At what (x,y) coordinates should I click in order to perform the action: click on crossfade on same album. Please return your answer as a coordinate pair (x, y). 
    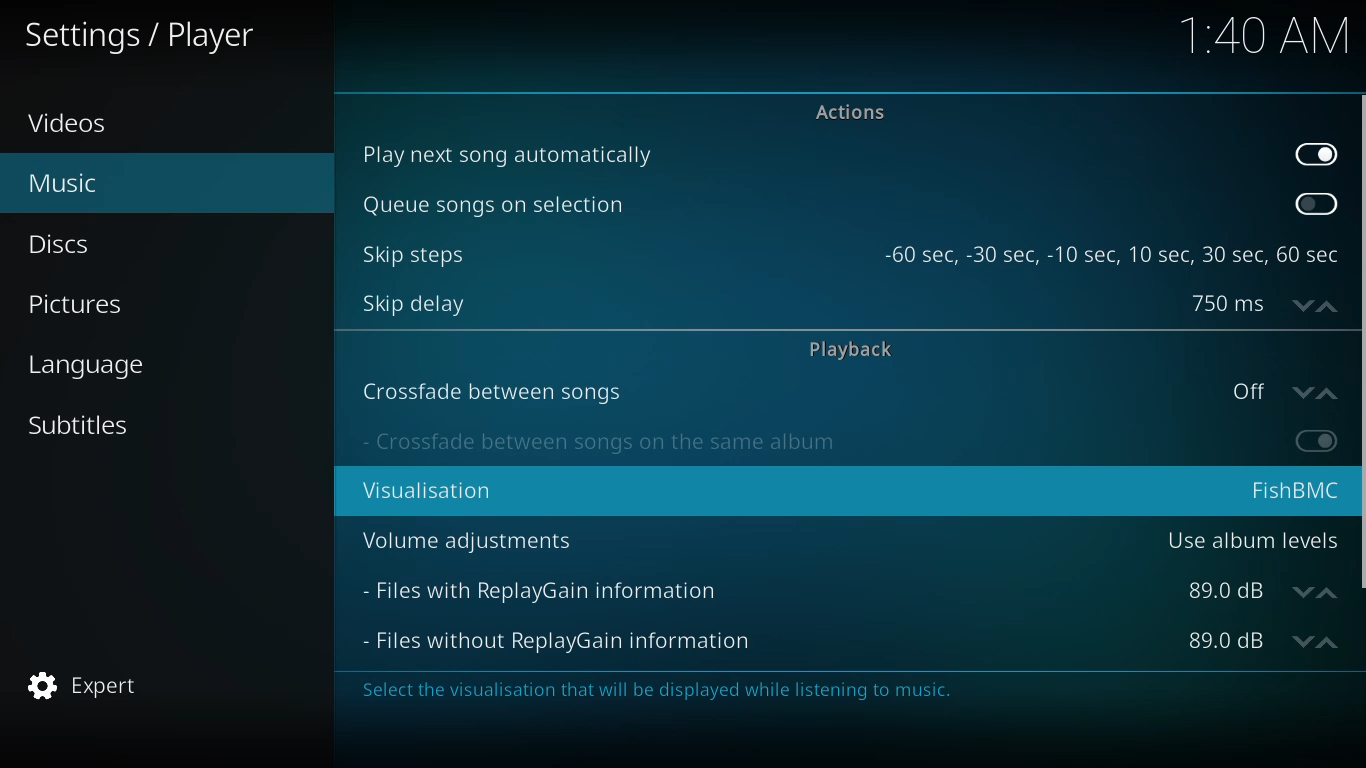
    Looking at the image, I should click on (603, 441).